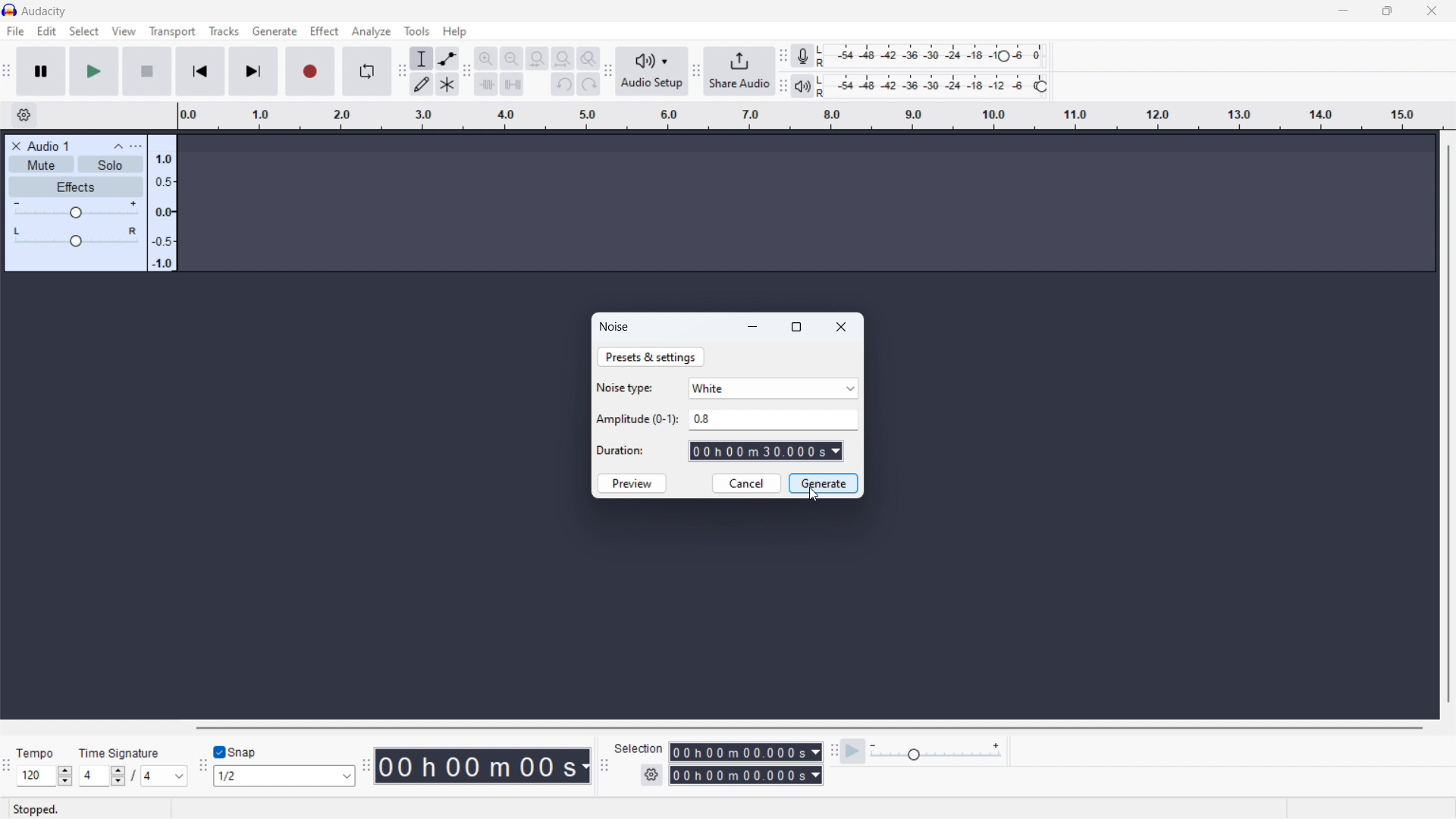 Image resolution: width=1456 pixels, height=819 pixels. Describe the element at coordinates (623, 450) in the screenshot. I see `duration` at that location.